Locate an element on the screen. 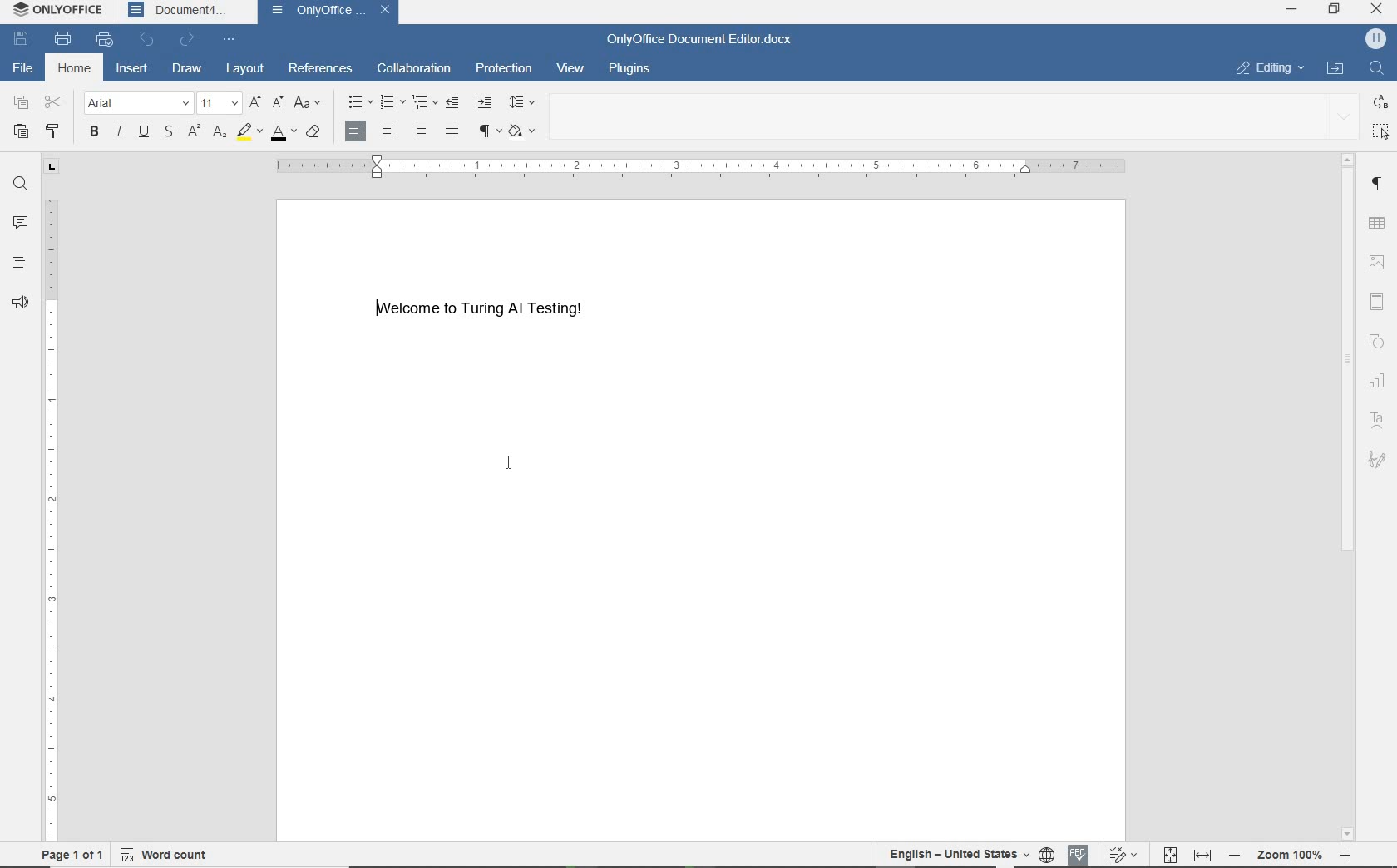 The image size is (1397, 868). Paragraph settings is located at coordinates (1379, 184).